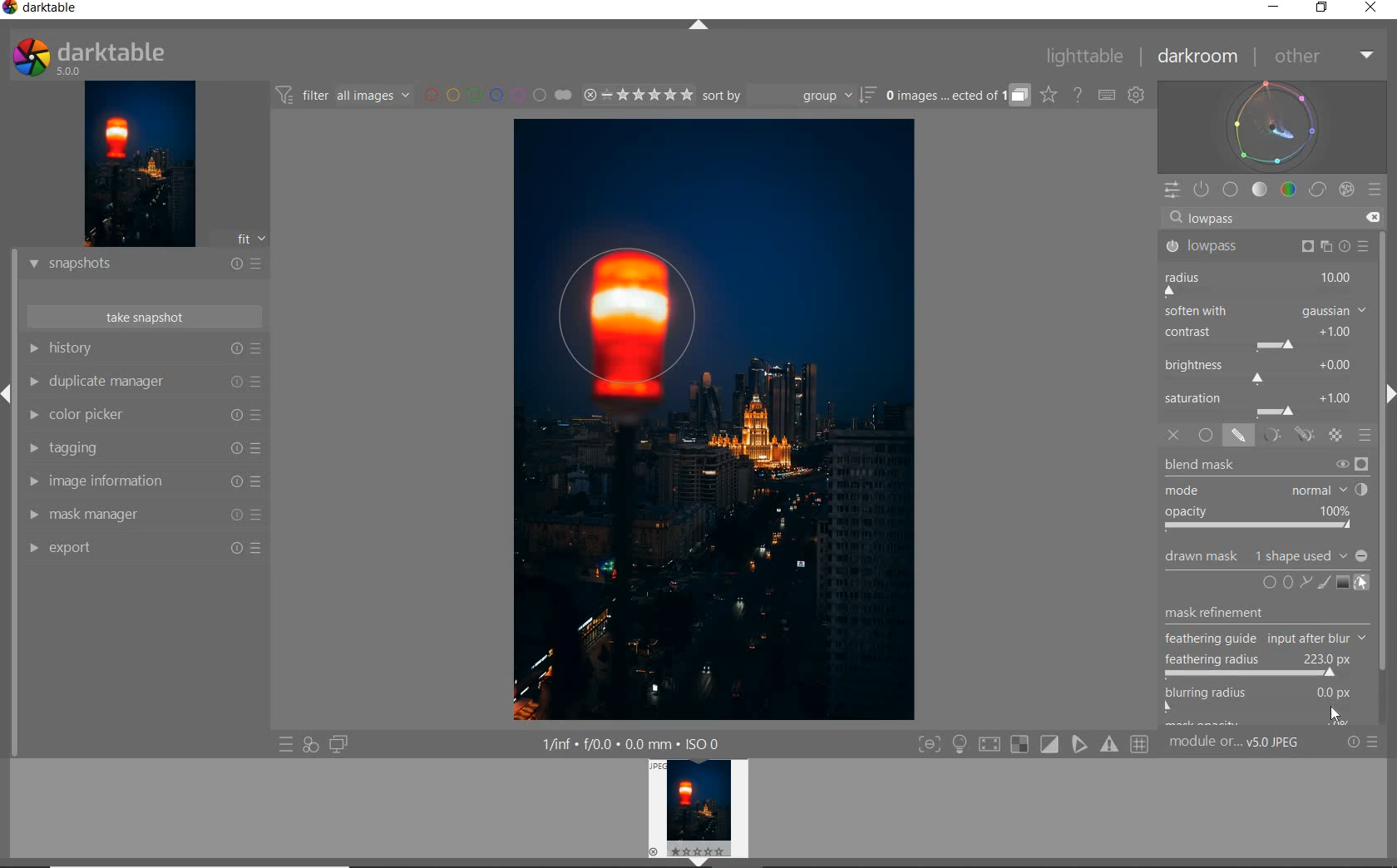 This screenshot has height=868, width=1397. I want to click on ADD BRUSH, so click(1322, 582).